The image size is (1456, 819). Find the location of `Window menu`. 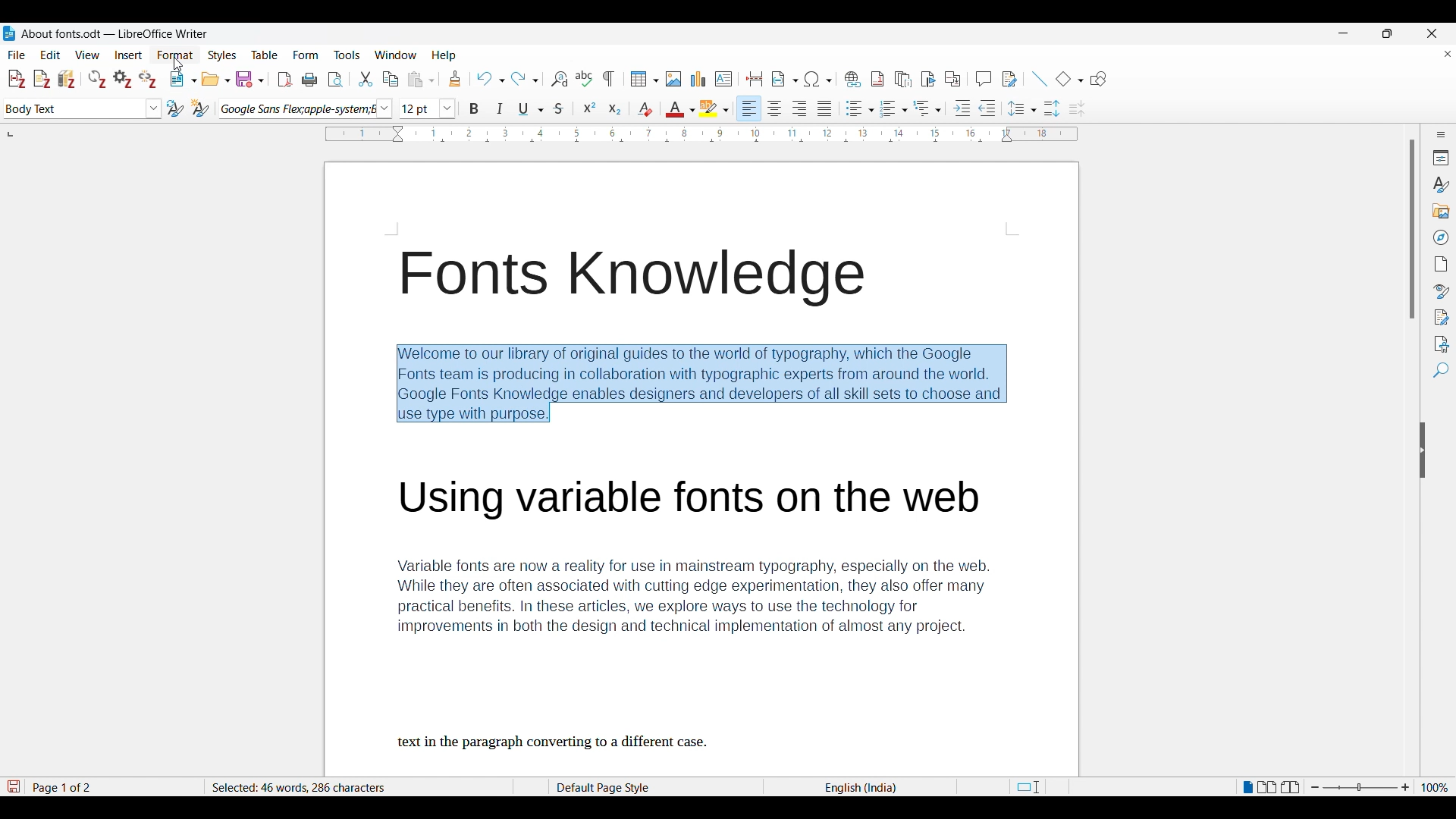

Window menu is located at coordinates (396, 55).